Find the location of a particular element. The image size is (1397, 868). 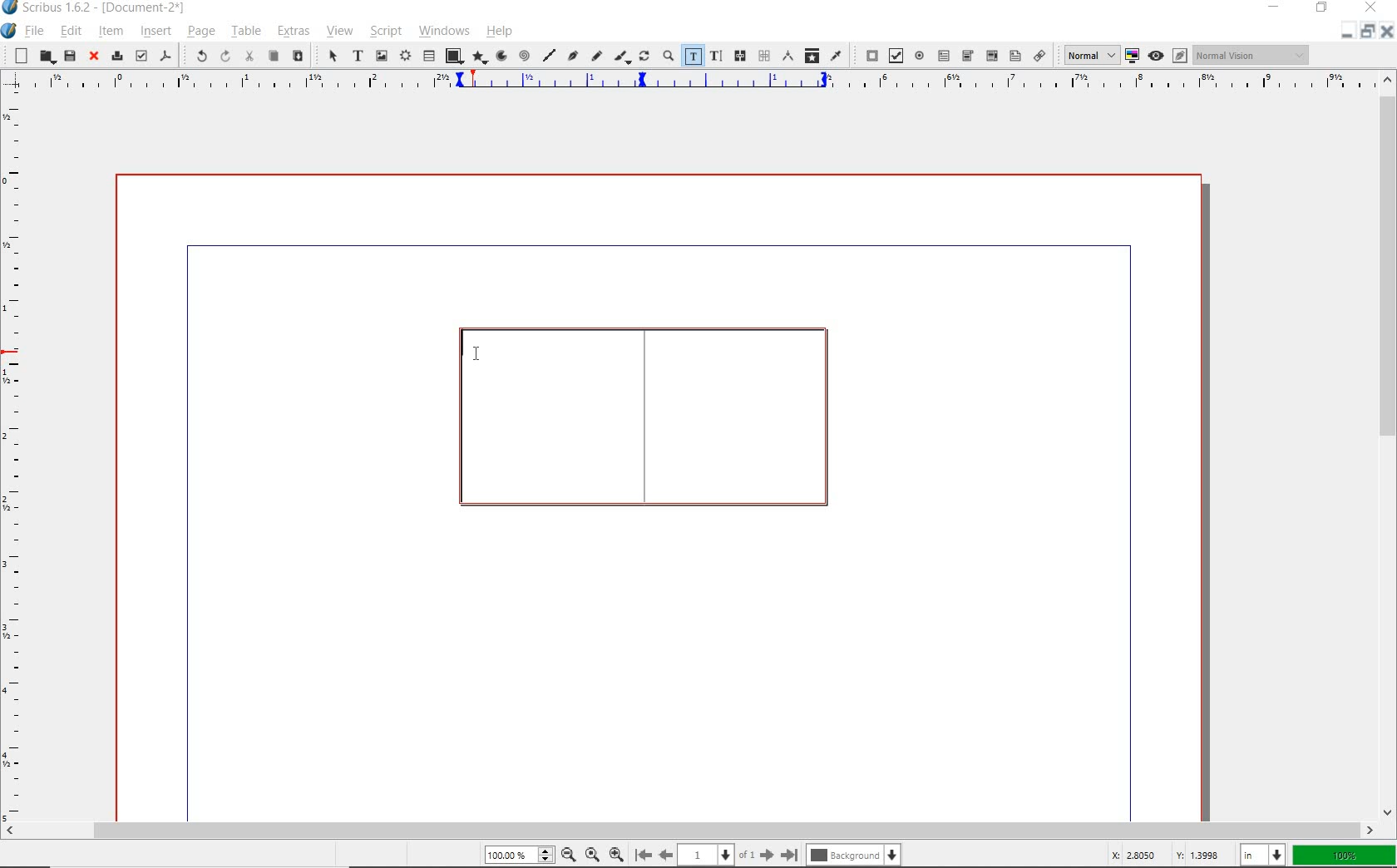

ruler is located at coordinates (17, 456).